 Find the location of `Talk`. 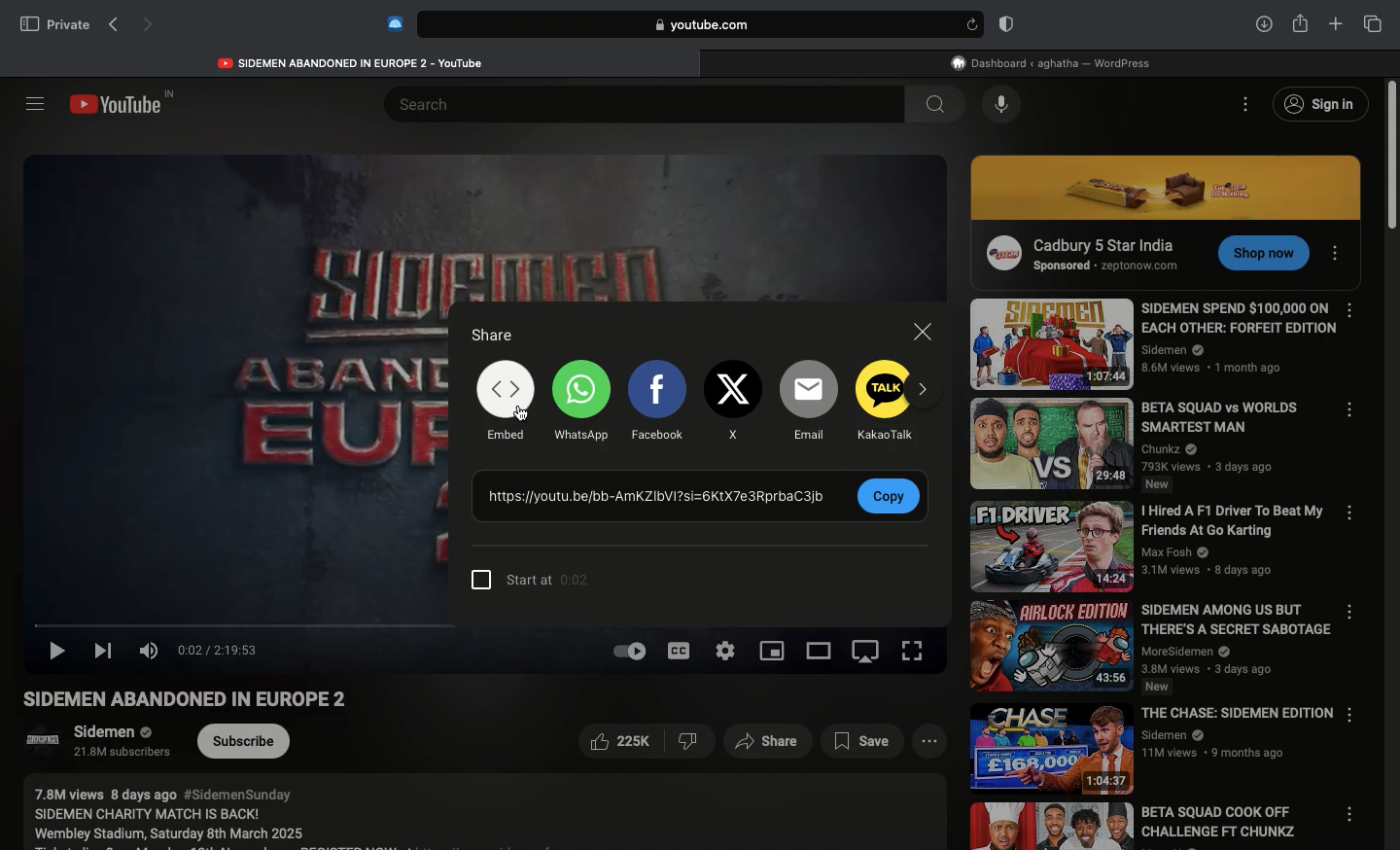

Talk is located at coordinates (876, 403).